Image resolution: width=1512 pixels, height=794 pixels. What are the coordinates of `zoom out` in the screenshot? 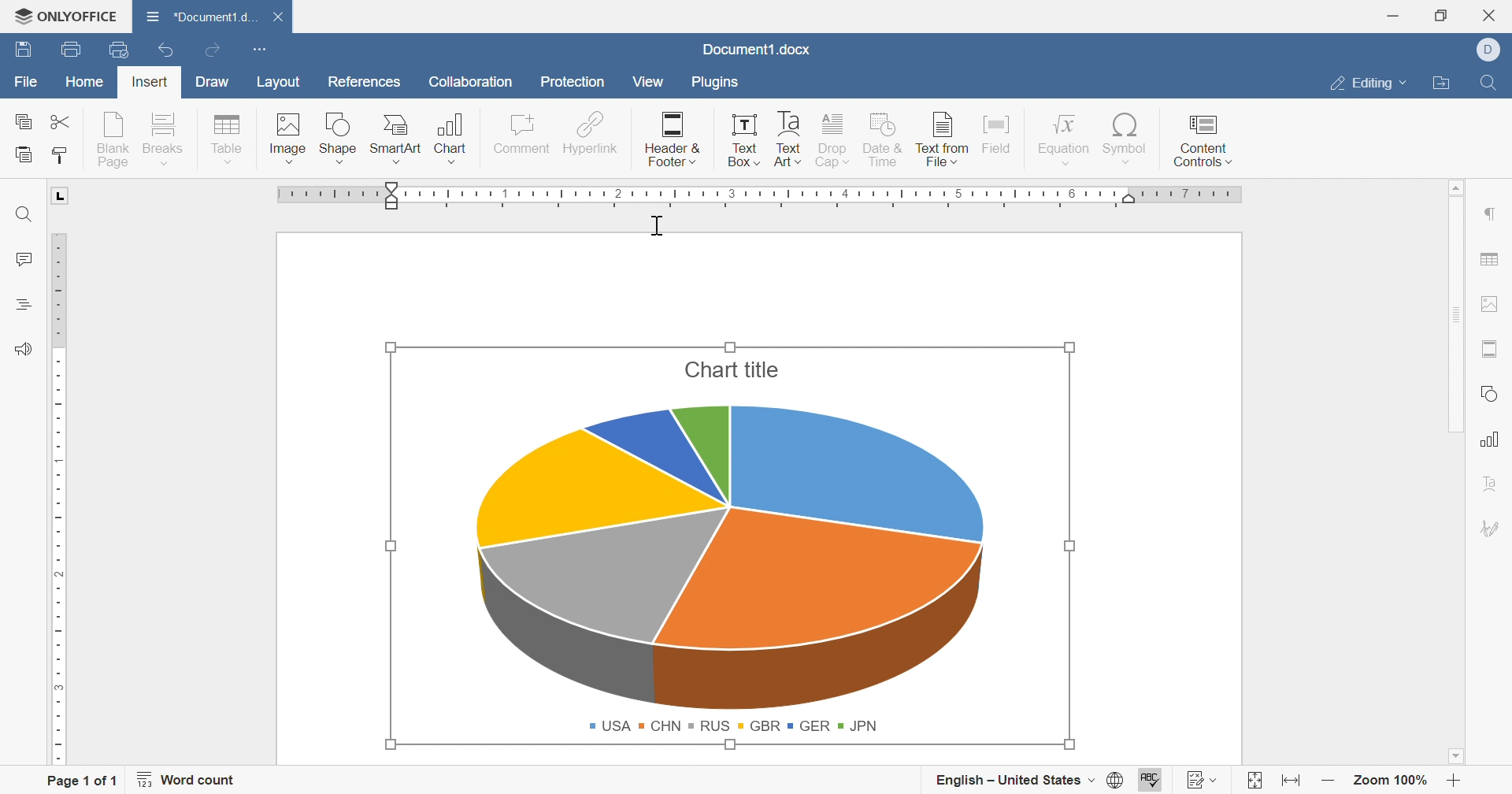 It's located at (1325, 780).